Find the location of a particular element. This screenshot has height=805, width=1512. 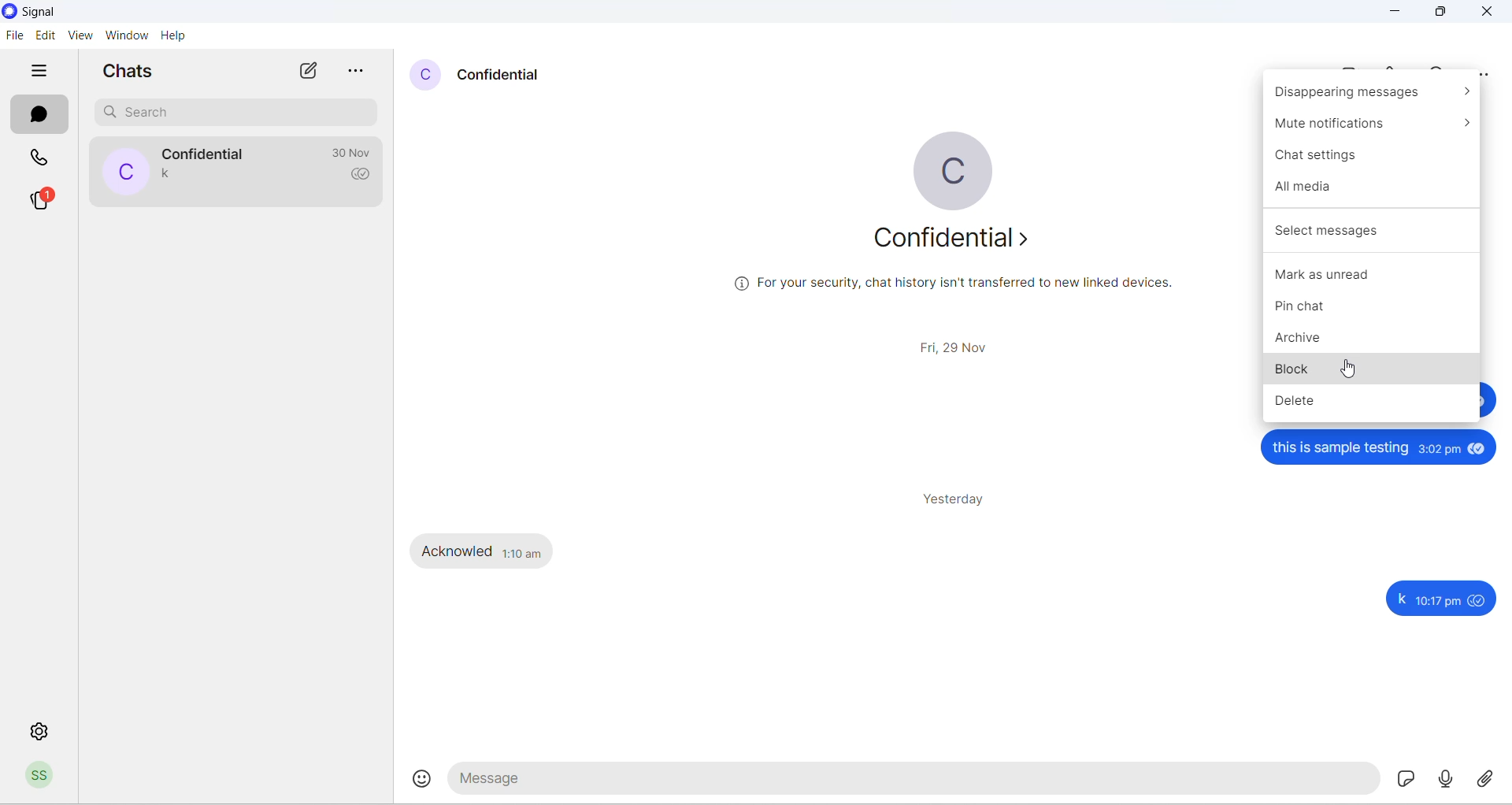

yesterday is located at coordinates (961, 501).